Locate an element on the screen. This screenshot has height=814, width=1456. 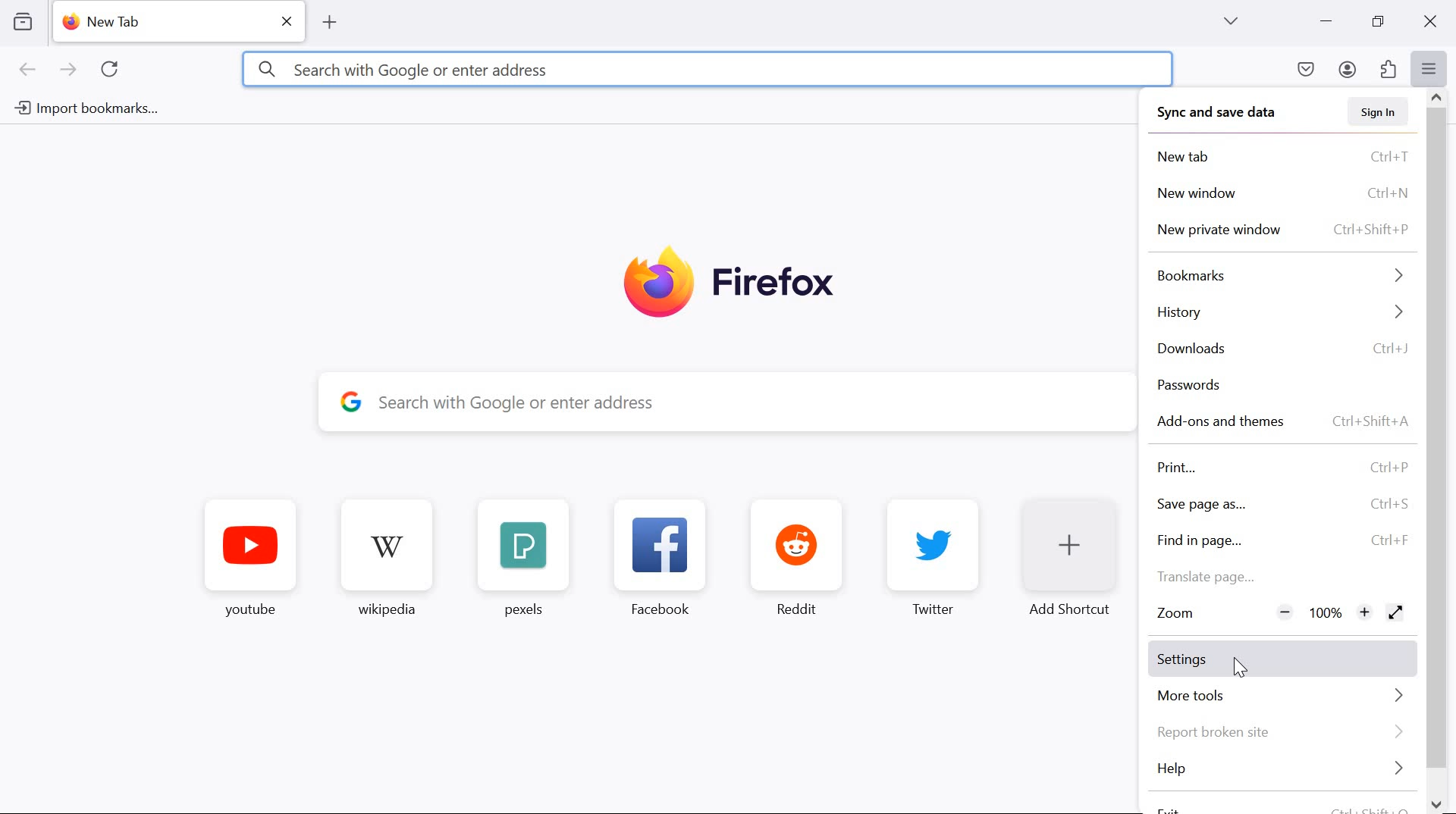
Search with Google or enter address is located at coordinates (705, 67).